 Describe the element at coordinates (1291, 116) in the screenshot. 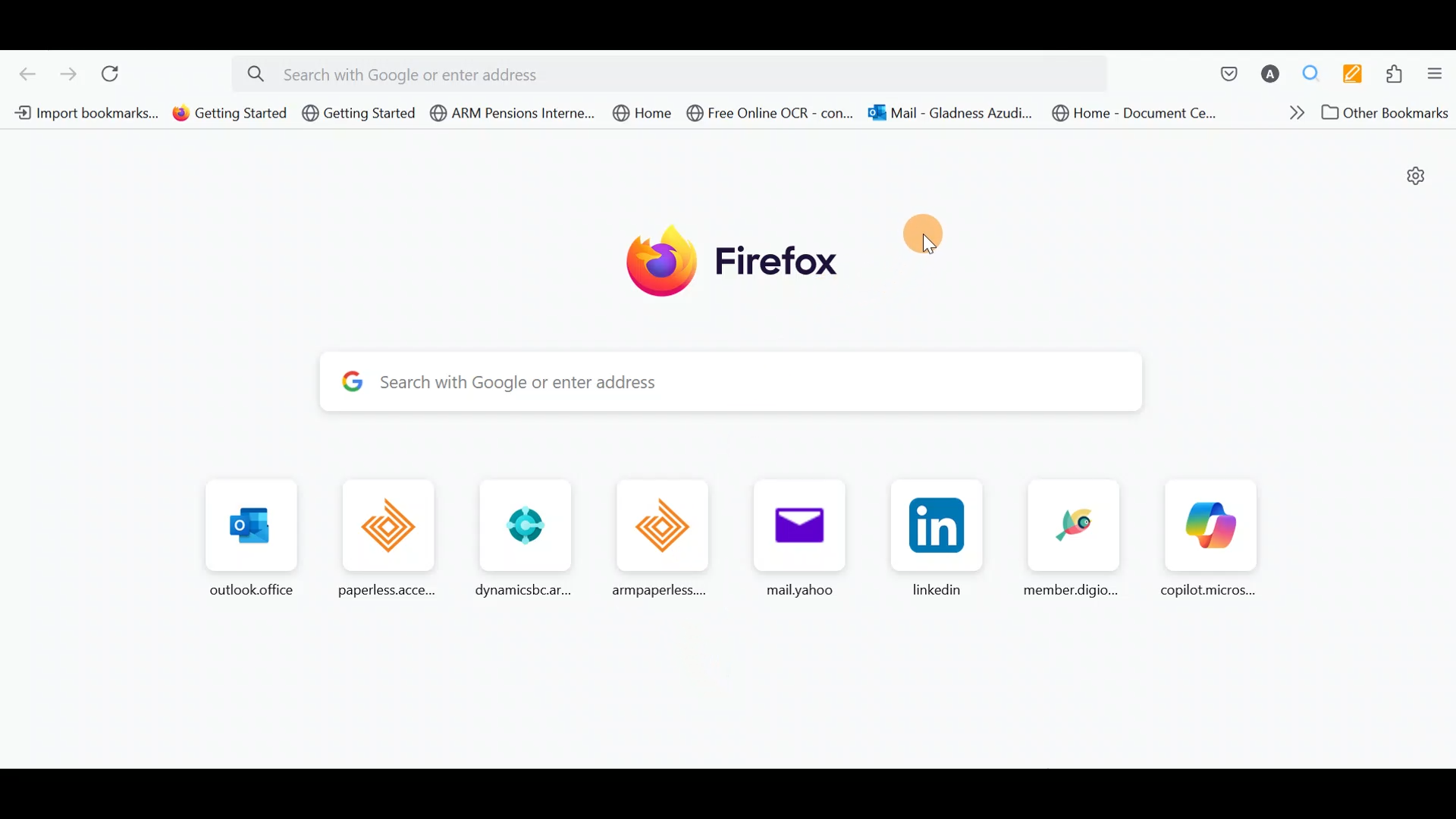

I see `Show more bookmarks` at that location.